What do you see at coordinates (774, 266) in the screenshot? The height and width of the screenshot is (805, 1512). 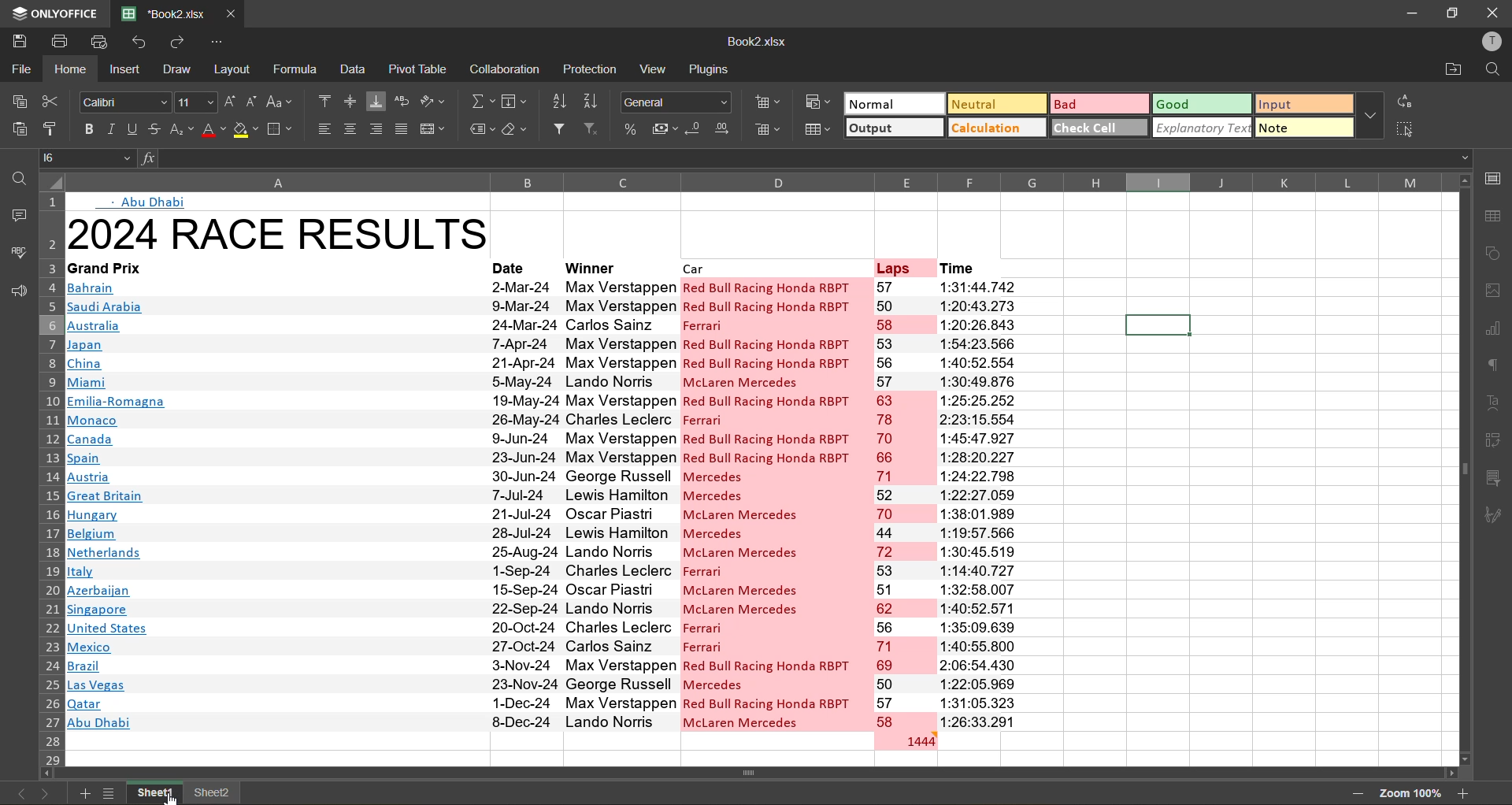 I see `car` at bounding box center [774, 266].